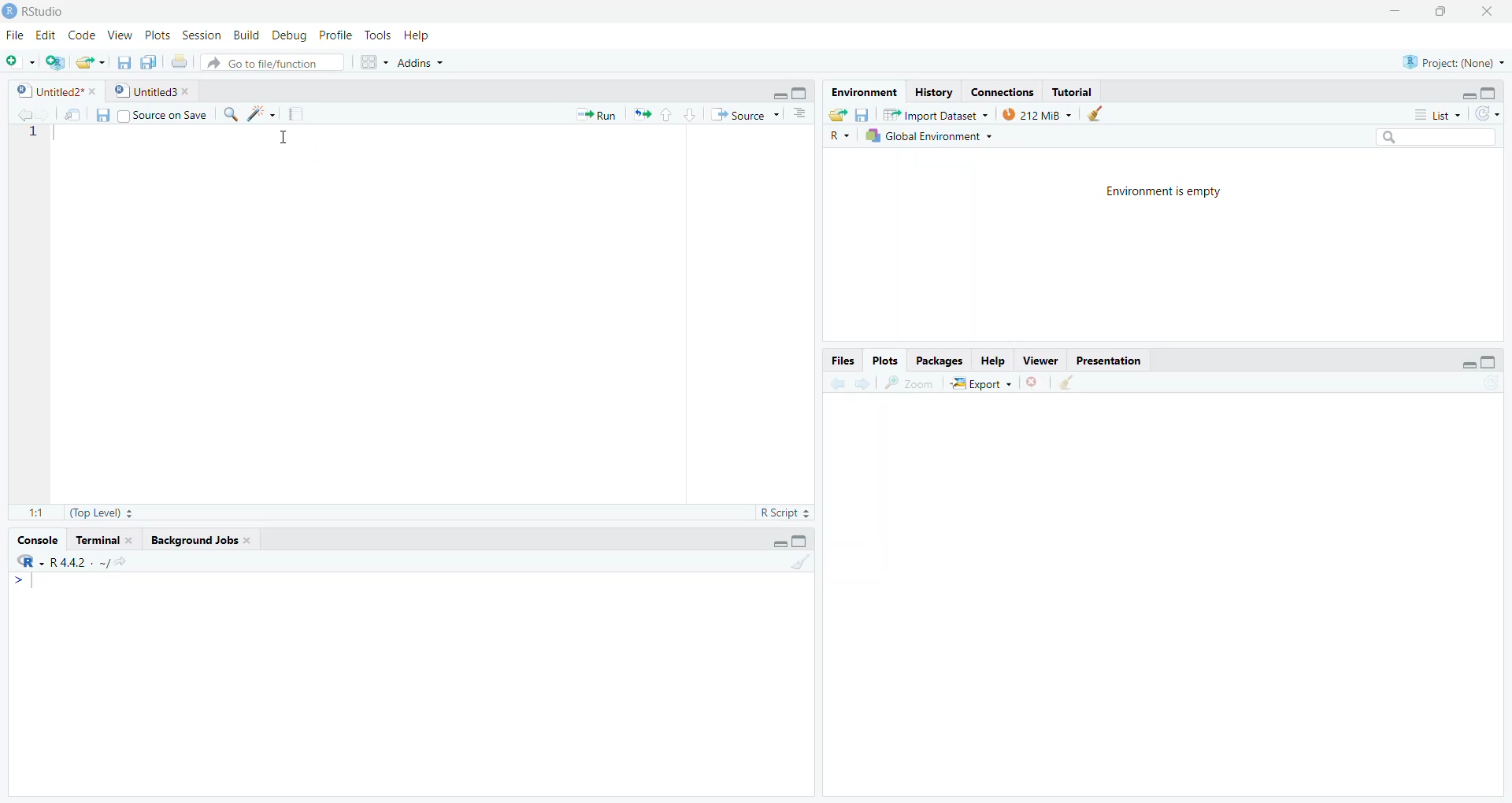  I want to click on save current documents, so click(123, 64).